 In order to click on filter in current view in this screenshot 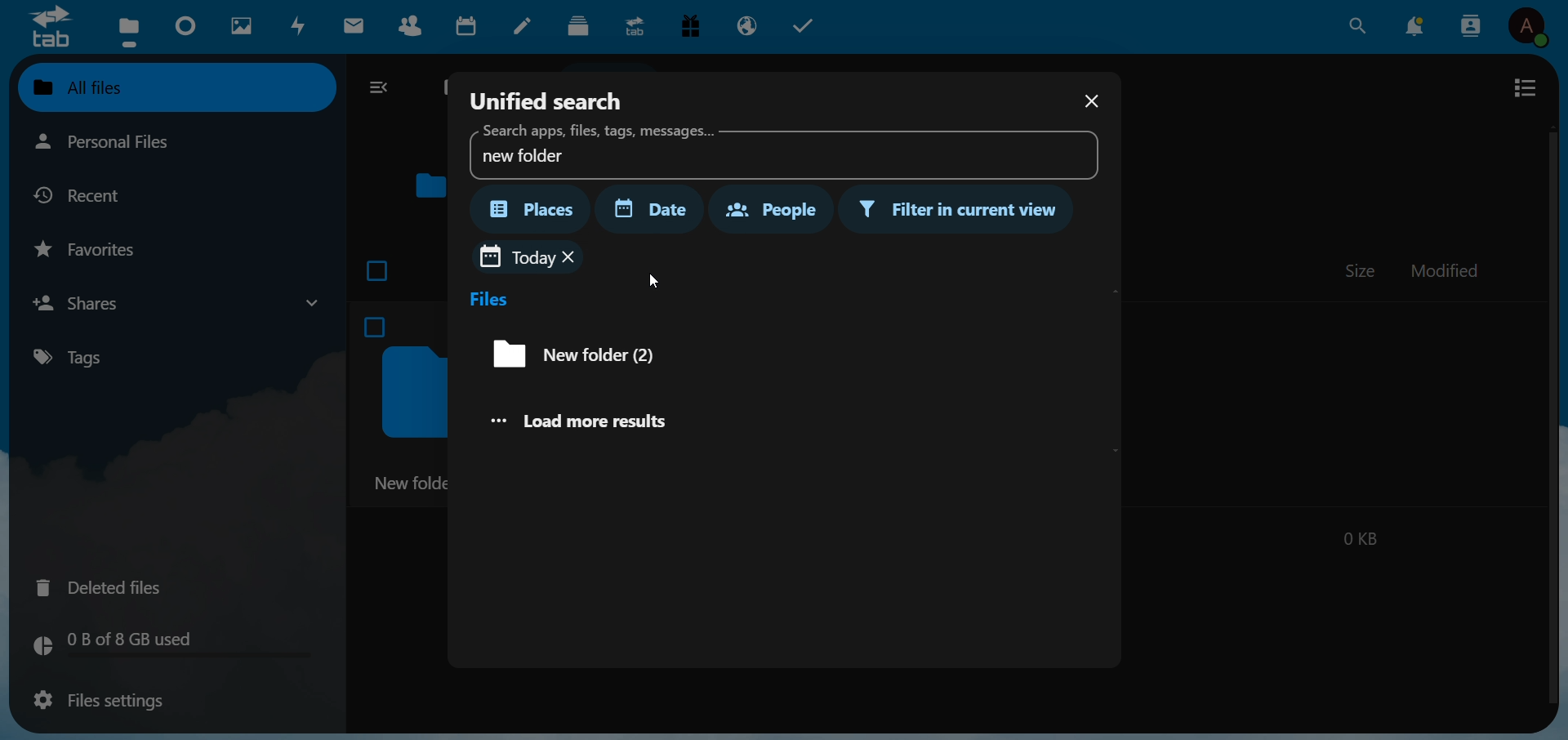, I will do `click(961, 211)`.